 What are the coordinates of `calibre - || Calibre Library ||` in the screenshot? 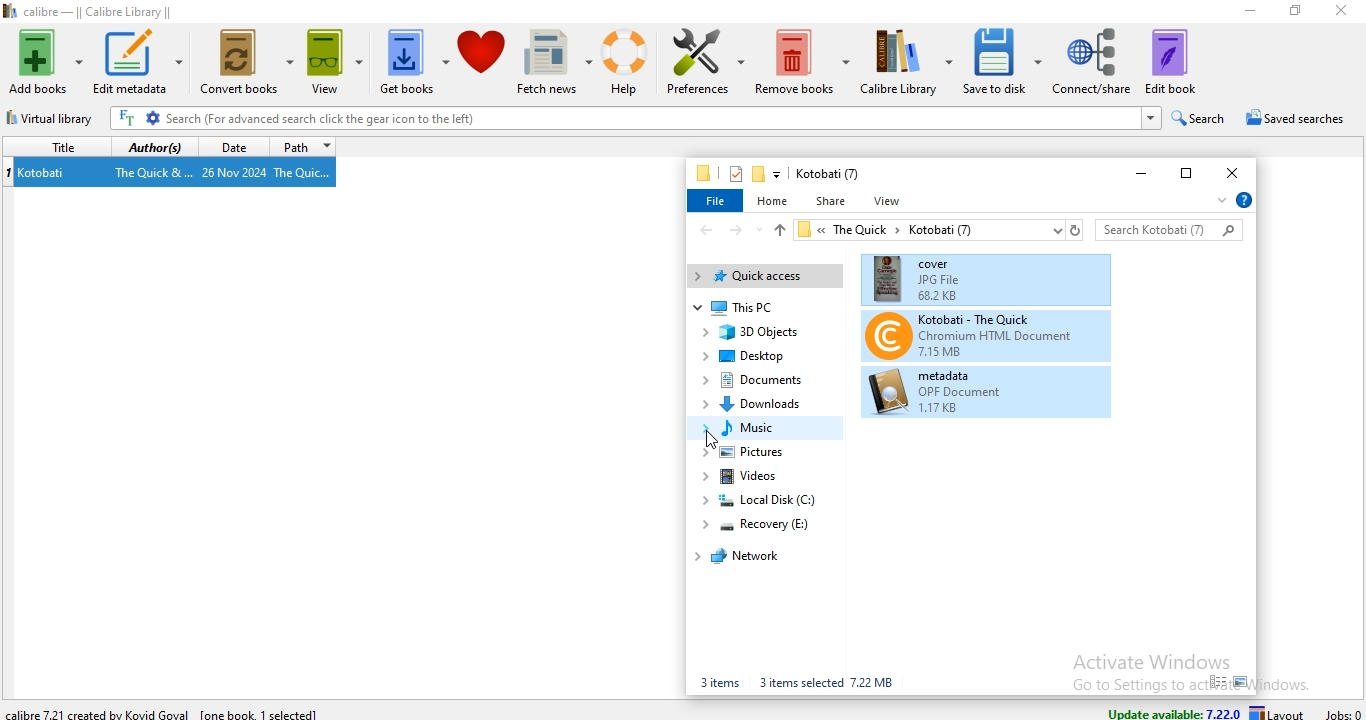 It's located at (97, 10).